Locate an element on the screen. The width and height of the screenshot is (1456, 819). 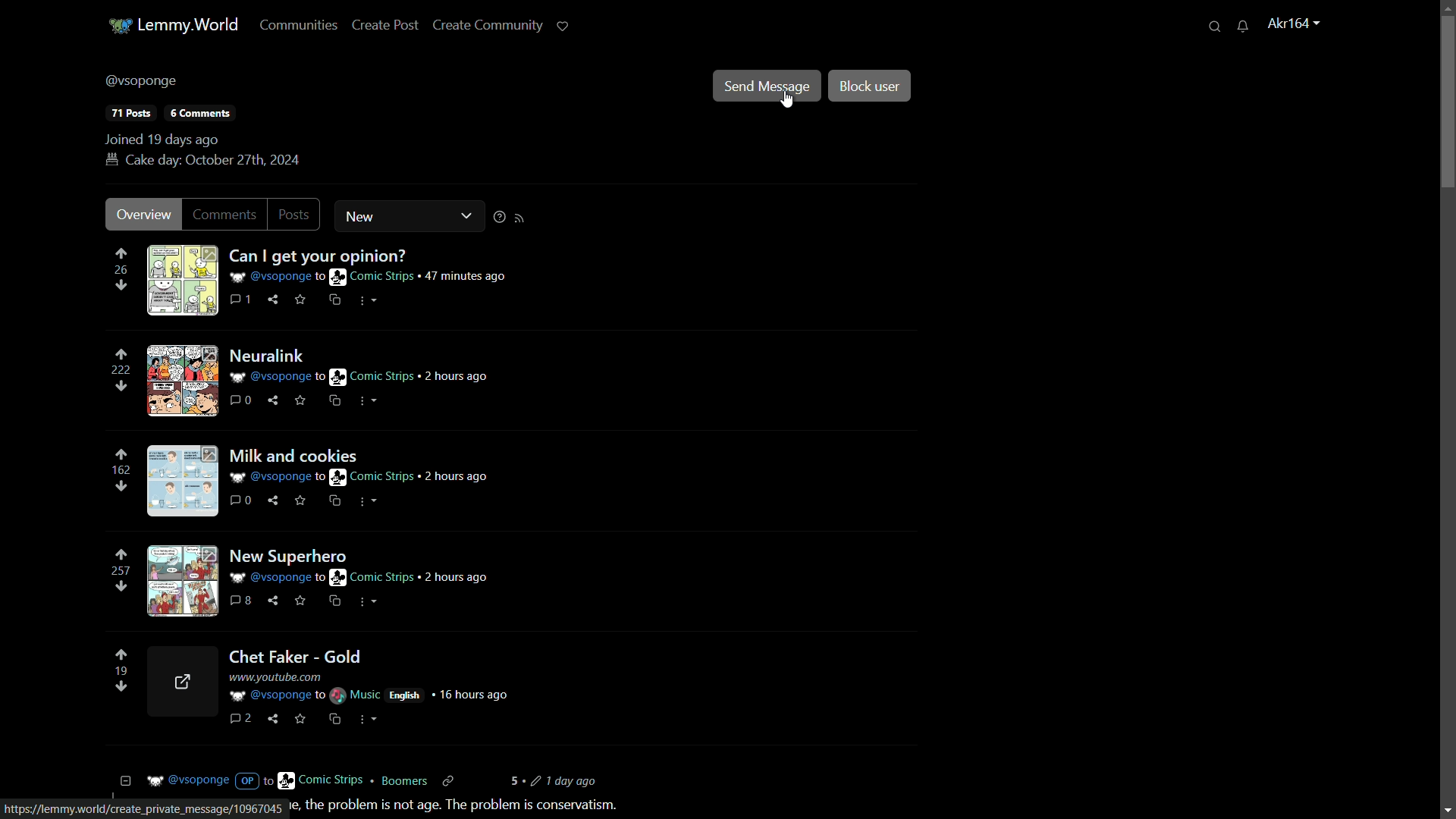
post details is located at coordinates (380, 276).